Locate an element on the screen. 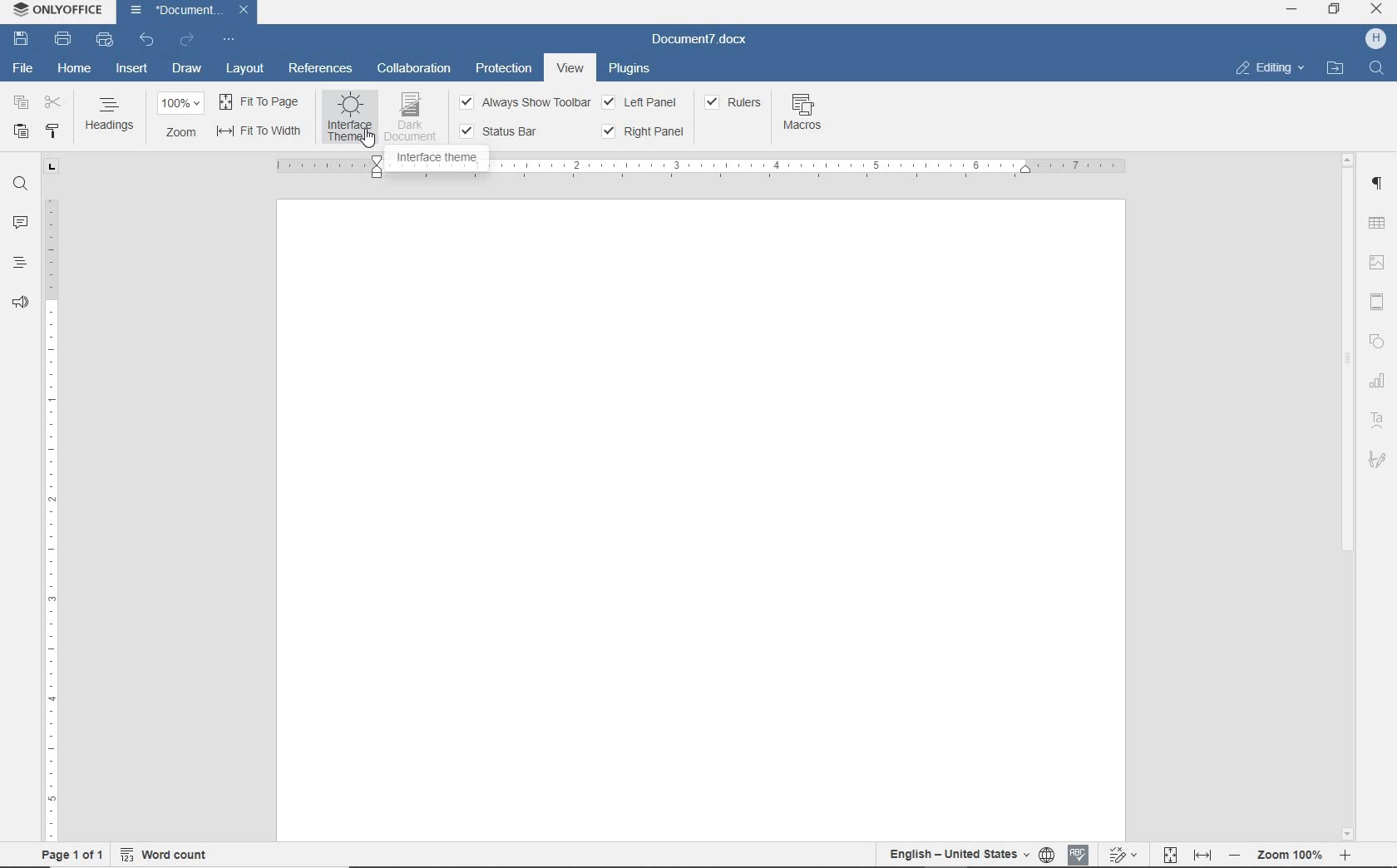  MINIMIZE is located at coordinates (1291, 8).